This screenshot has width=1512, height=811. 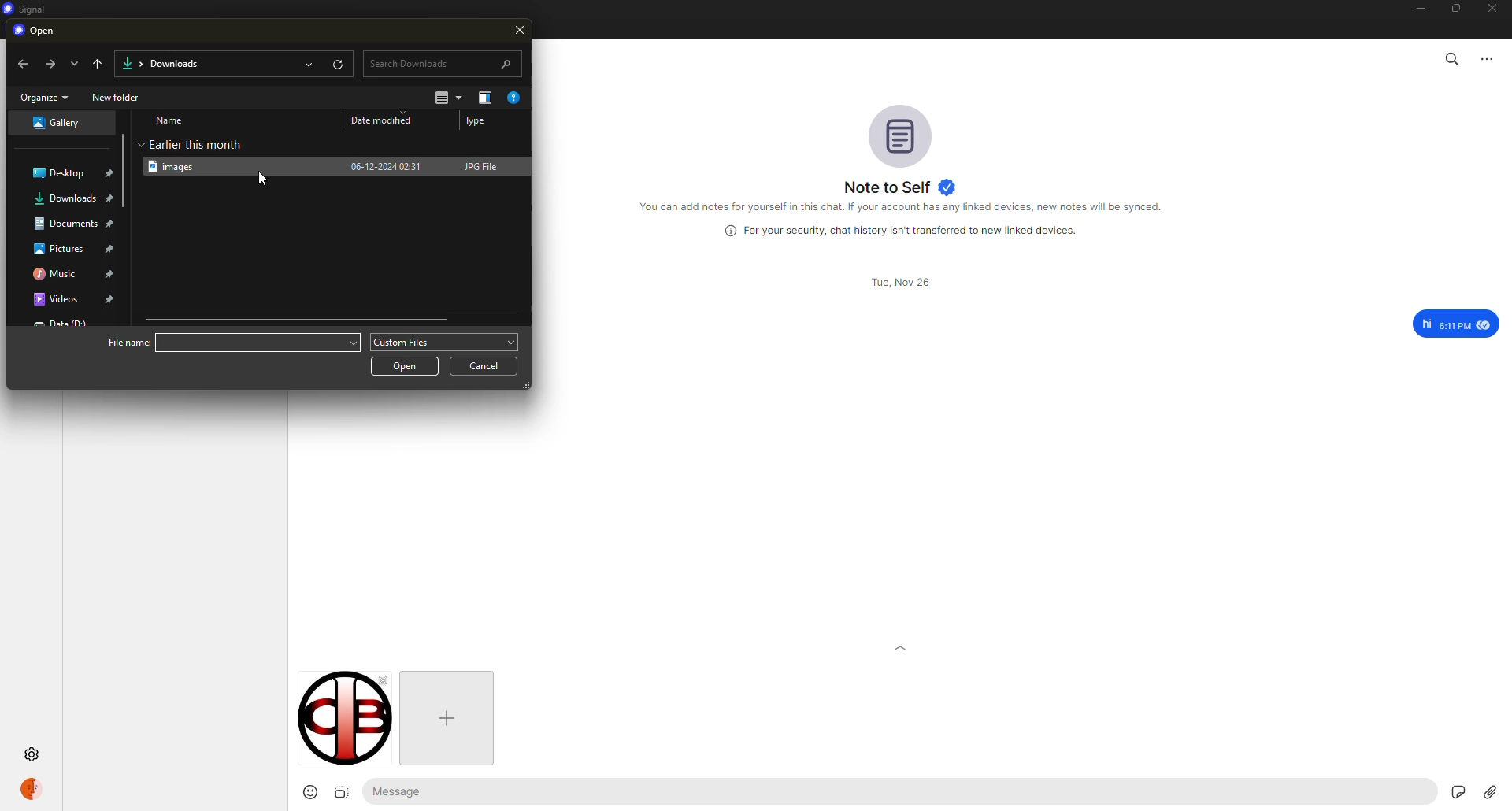 What do you see at coordinates (900, 187) in the screenshot?
I see `note to self` at bounding box center [900, 187].